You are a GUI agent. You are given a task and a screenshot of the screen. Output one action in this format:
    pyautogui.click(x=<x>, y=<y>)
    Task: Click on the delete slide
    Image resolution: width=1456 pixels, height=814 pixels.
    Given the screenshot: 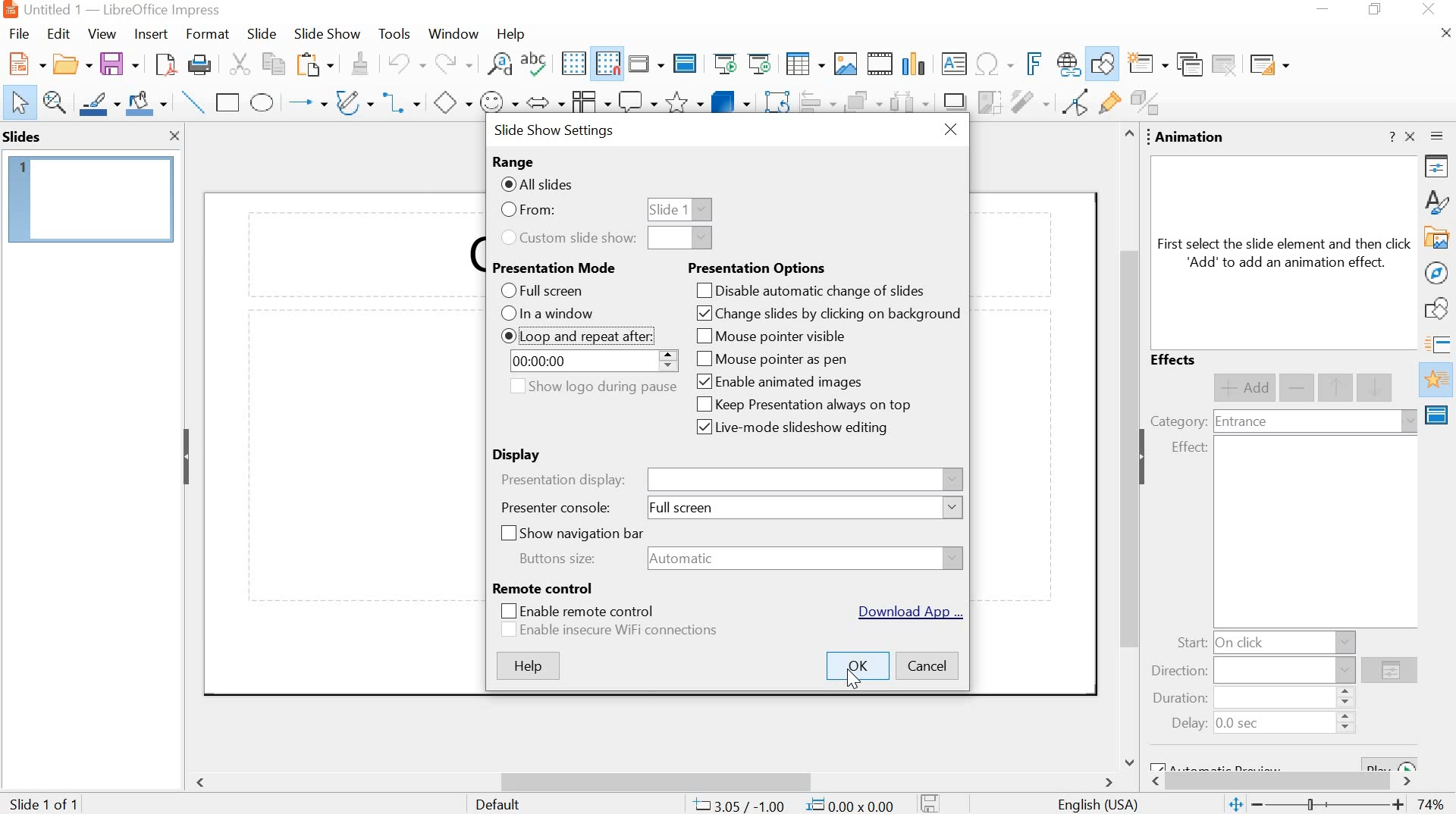 What is the action you would take?
    pyautogui.click(x=1225, y=64)
    